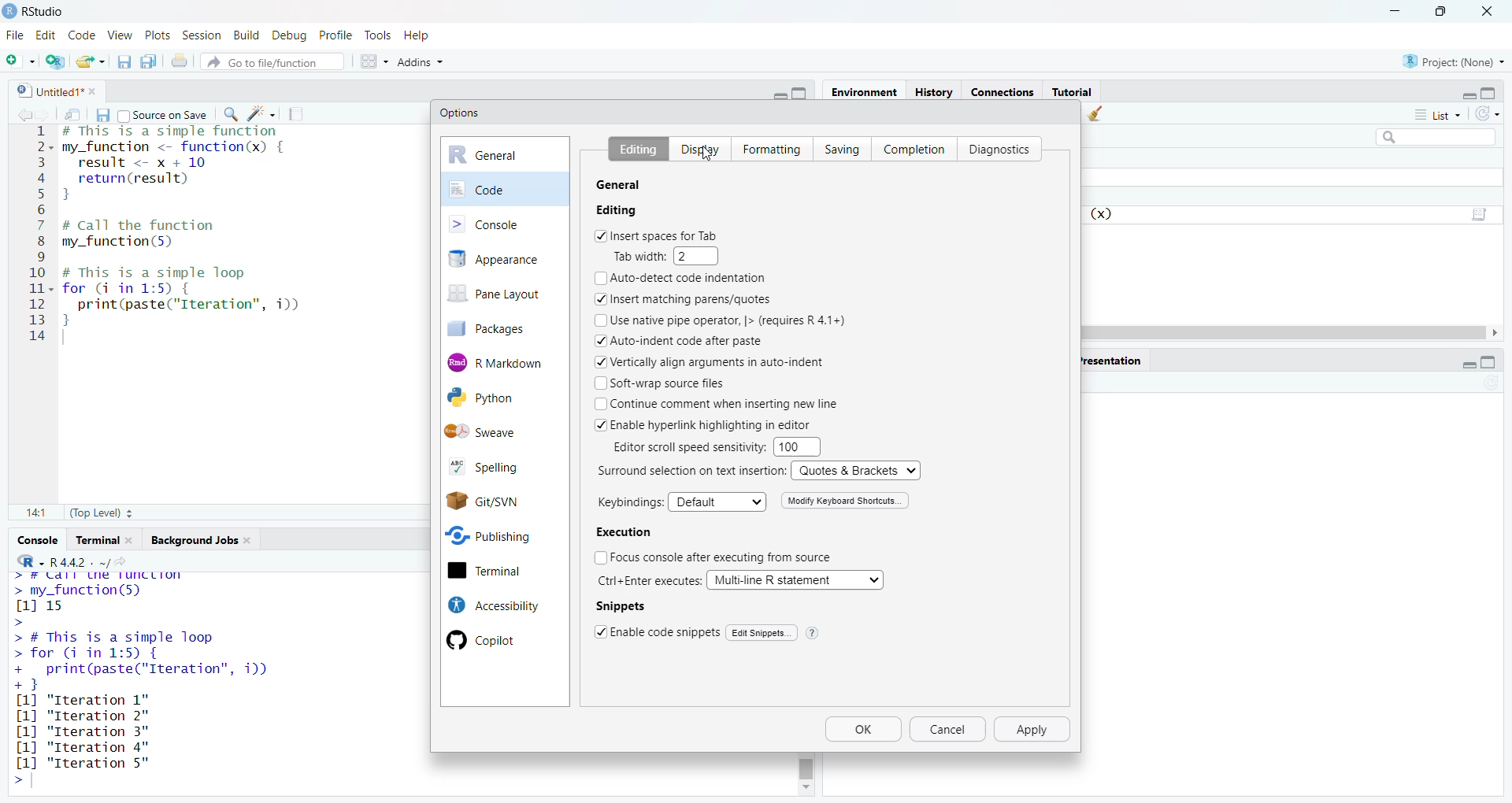  What do you see at coordinates (811, 632) in the screenshot?
I see `help` at bounding box center [811, 632].